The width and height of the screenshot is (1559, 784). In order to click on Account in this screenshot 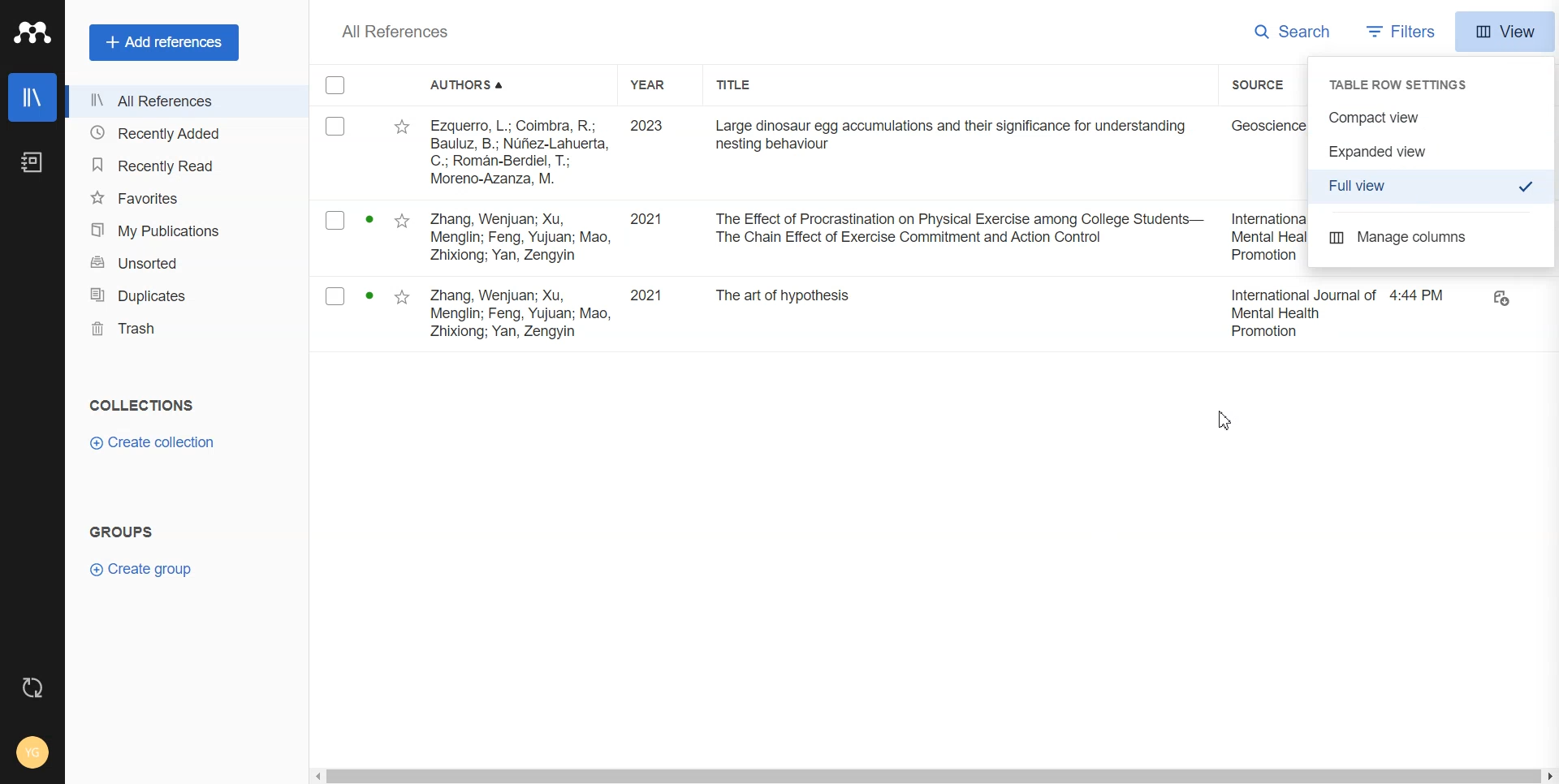, I will do `click(33, 752)`.